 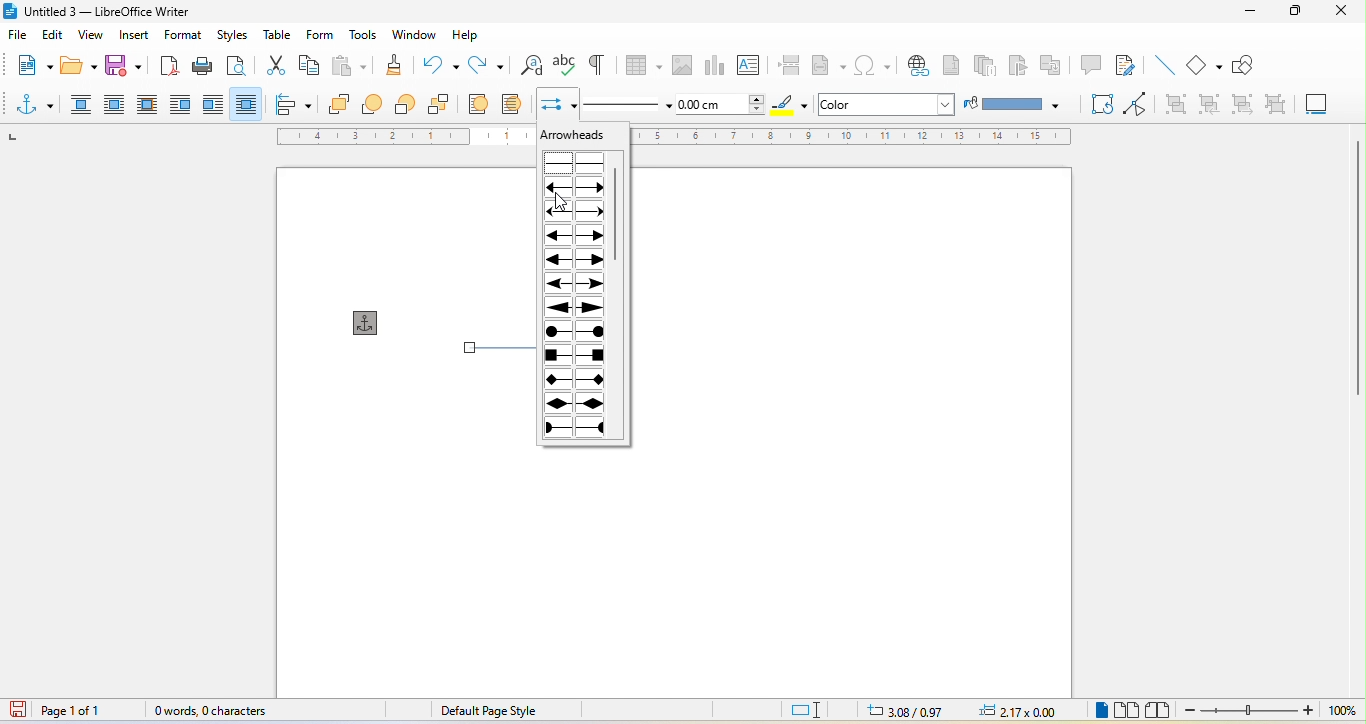 I want to click on minimize, so click(x=1251, y=10).